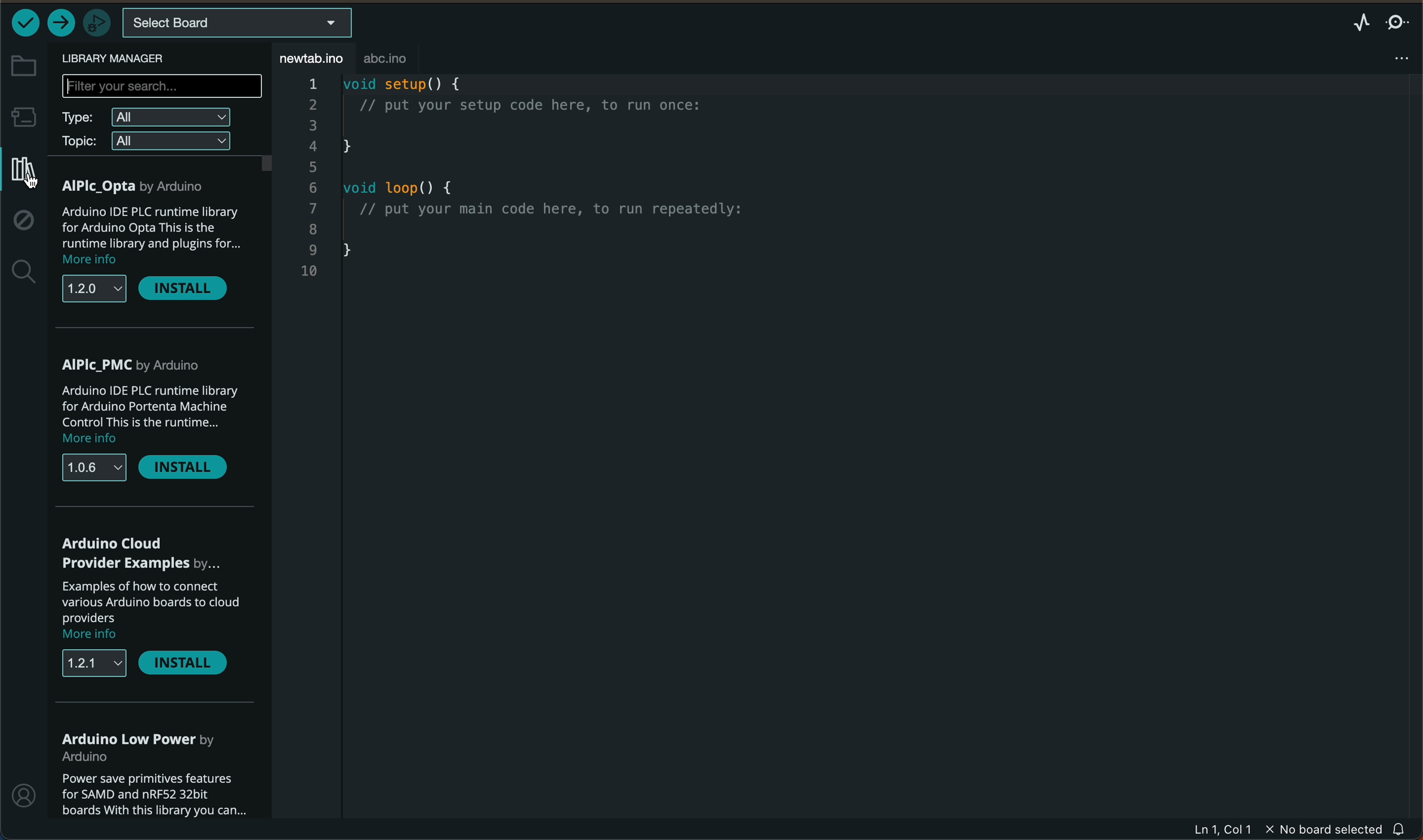 Image resolution: width=1423 pixels, height=840 pixels. What do you see at coordinates (136, 187) in the screenshot?
I see `AlPc ` at bounding box center [136, 187].